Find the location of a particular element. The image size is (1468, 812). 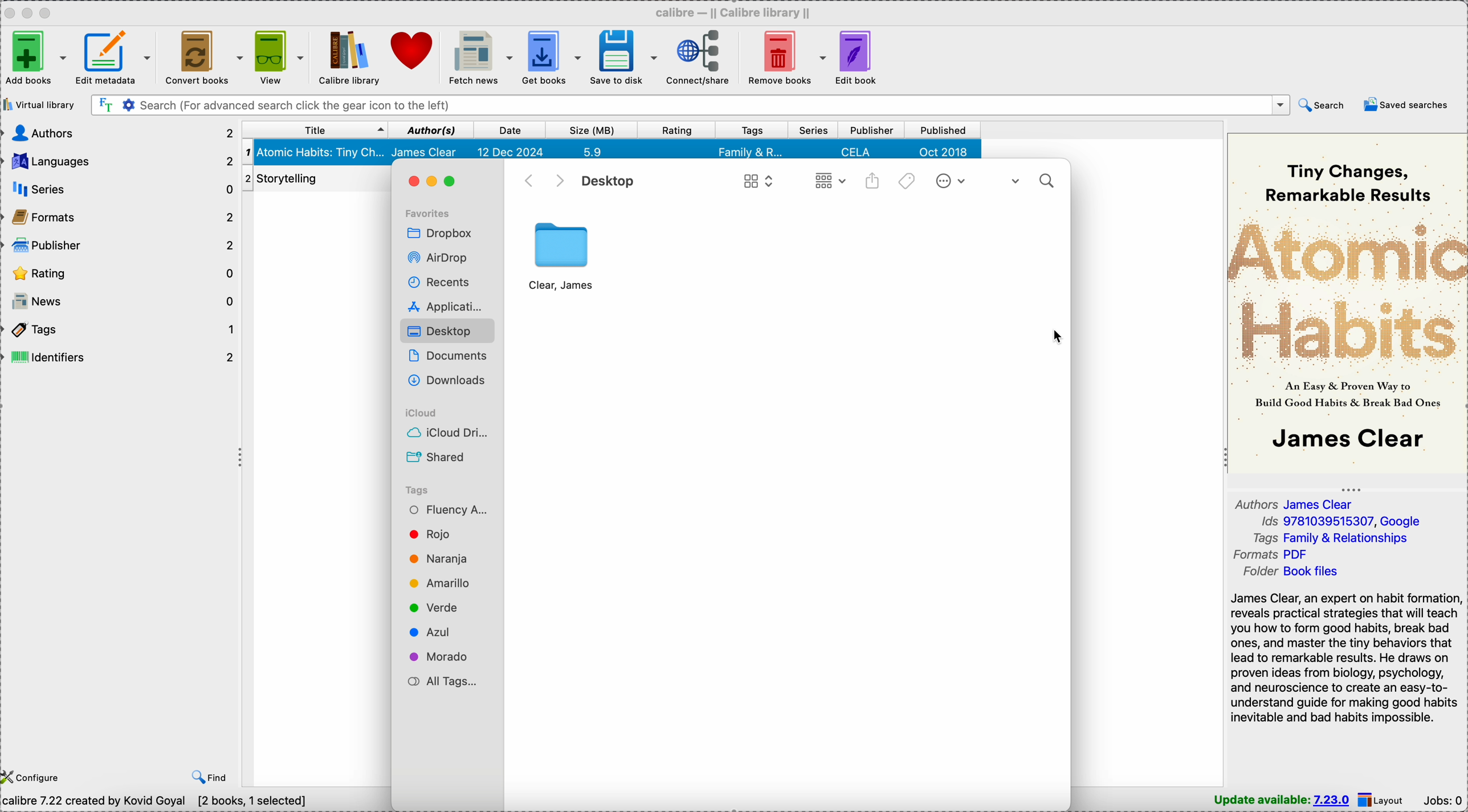

Desktop is located at coordinates (447, 330).